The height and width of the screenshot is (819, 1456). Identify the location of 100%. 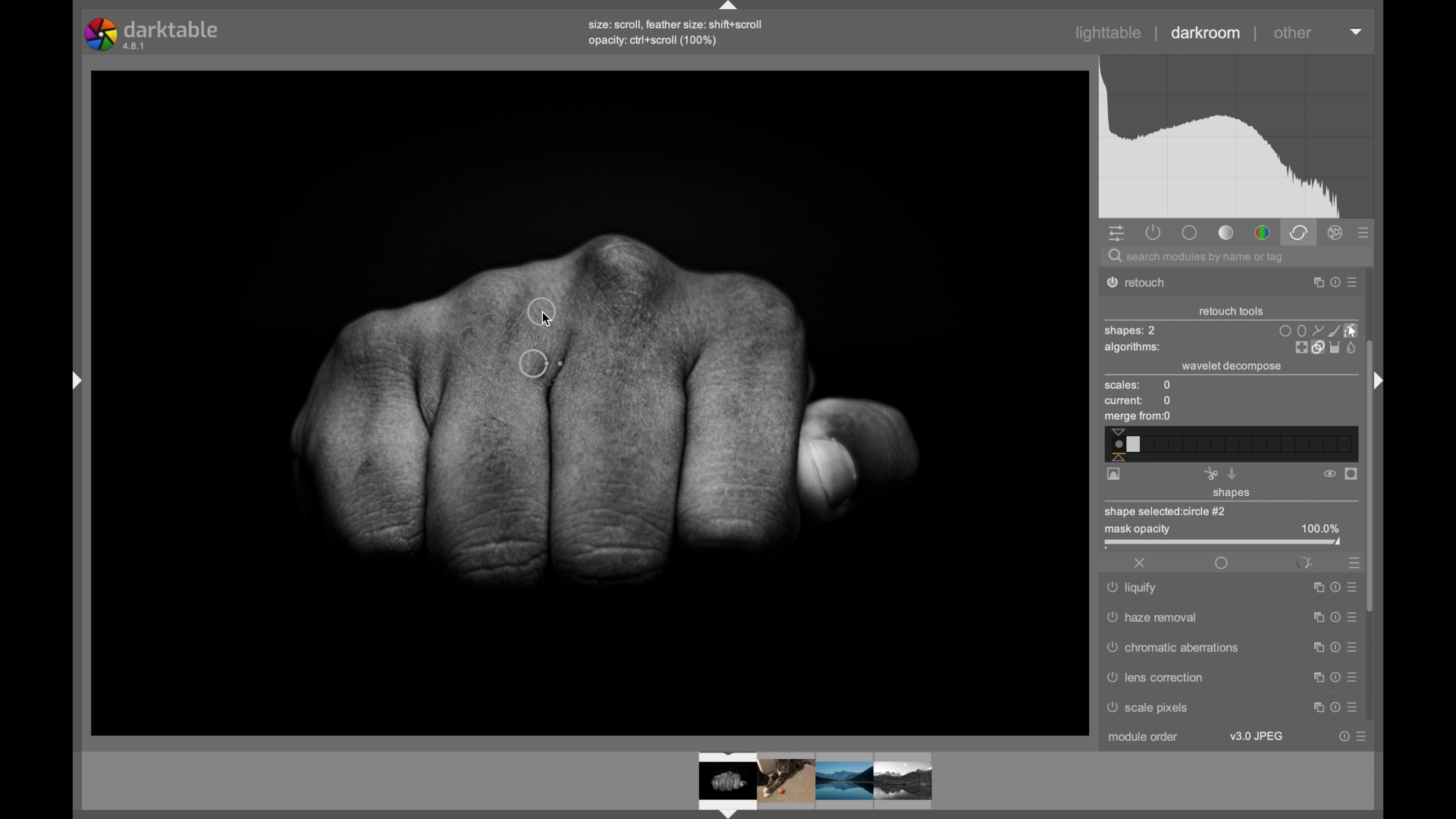
(1320, 529).